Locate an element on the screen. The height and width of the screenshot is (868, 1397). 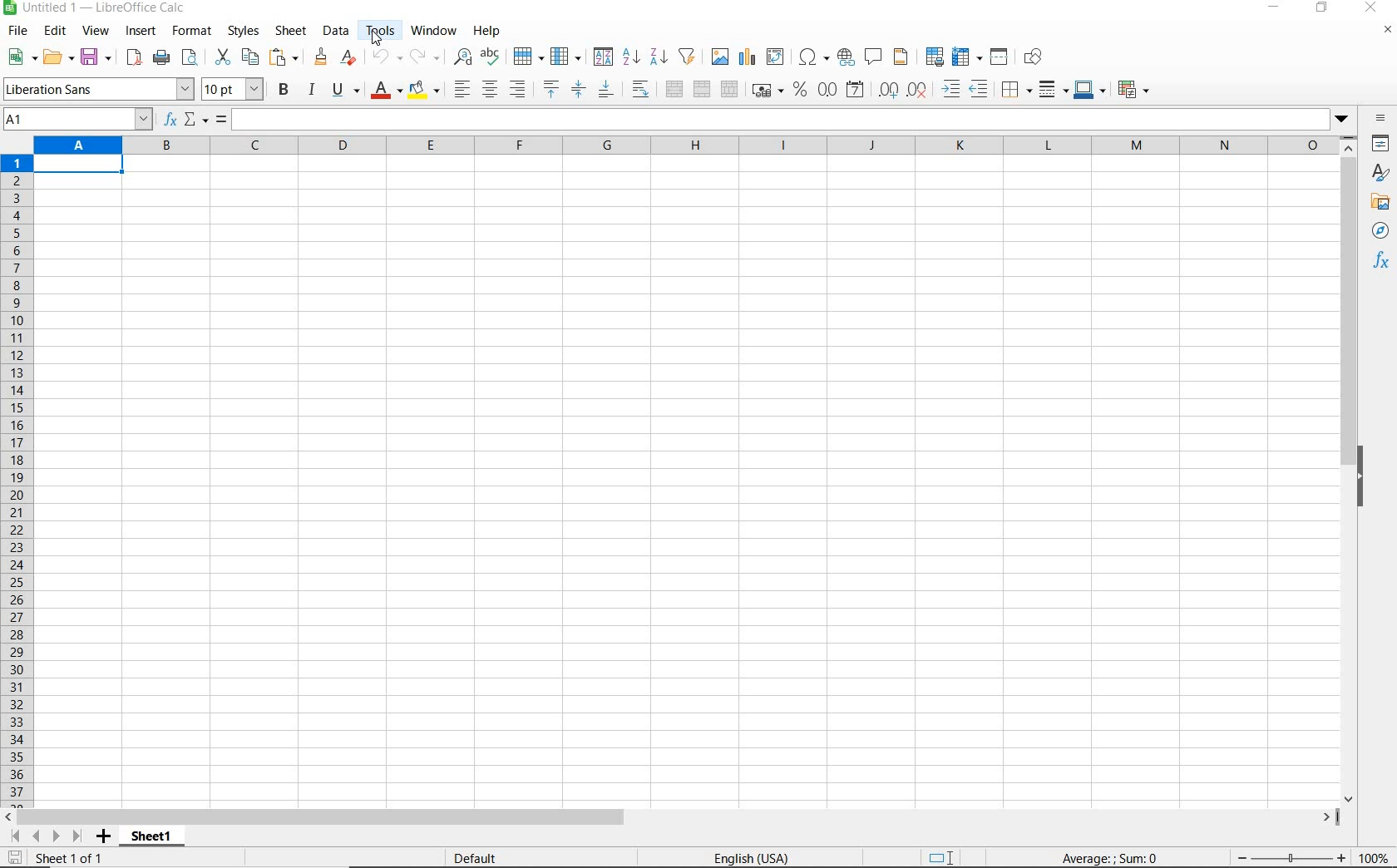
insert or edit pivot table is located at coordinates (777, 57).